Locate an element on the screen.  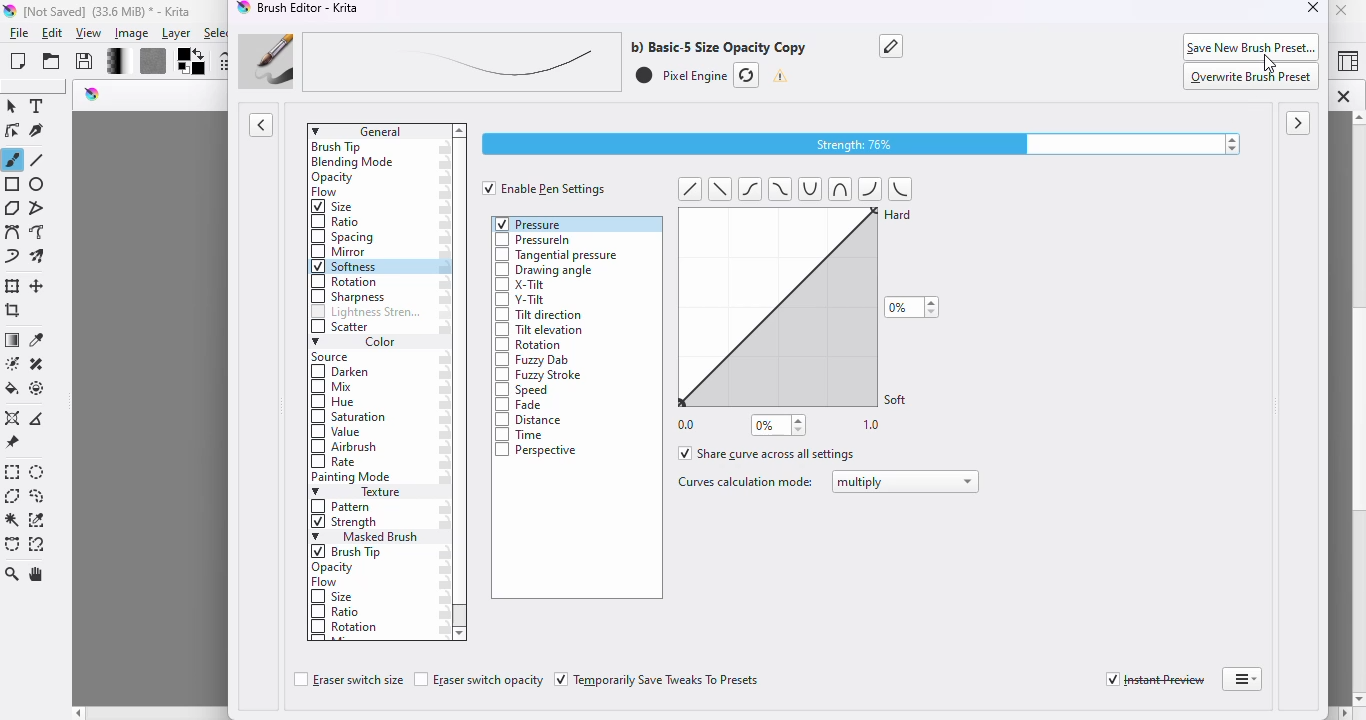
diagonal is located at coordinates (719, 189).